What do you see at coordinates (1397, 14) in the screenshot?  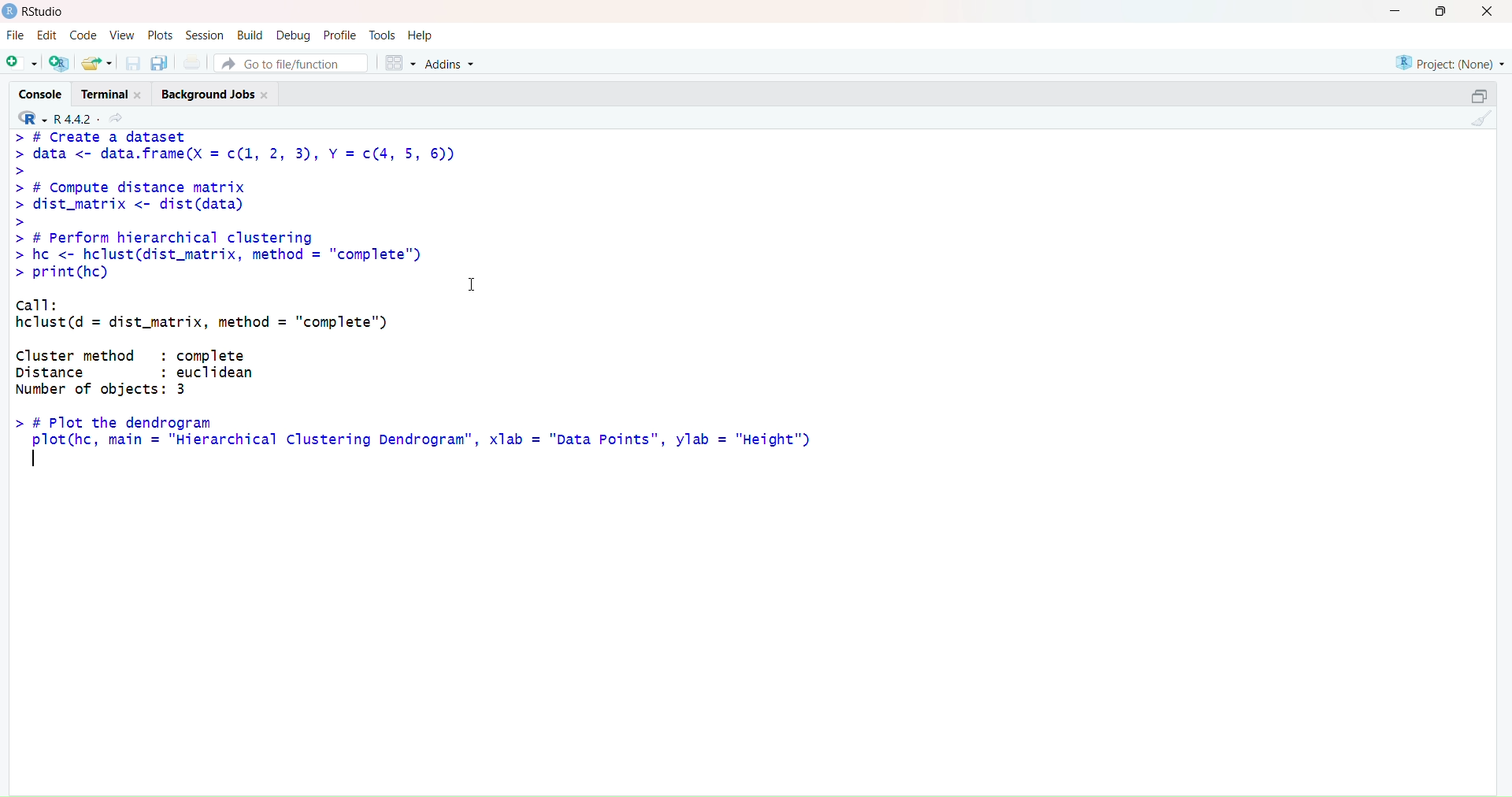 I see `Minimize` at bounding box center [1397, 14].